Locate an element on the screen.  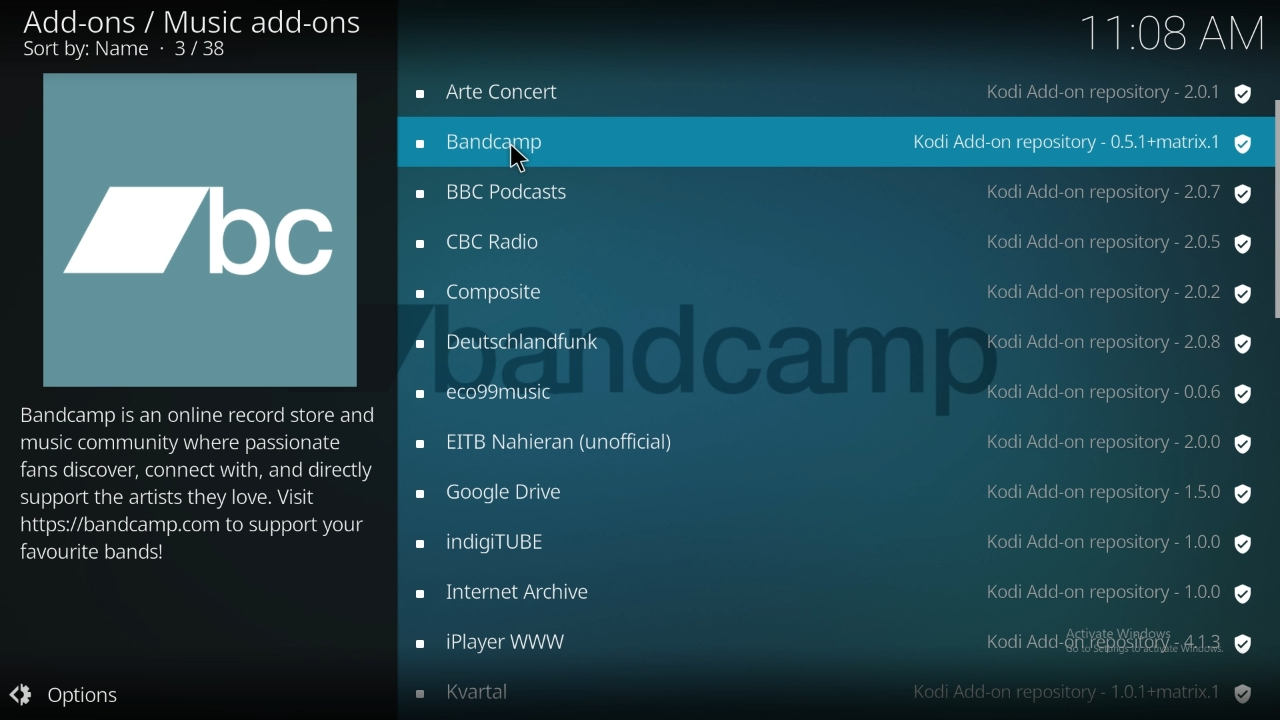
music addons is located at coordinates (192, 35).